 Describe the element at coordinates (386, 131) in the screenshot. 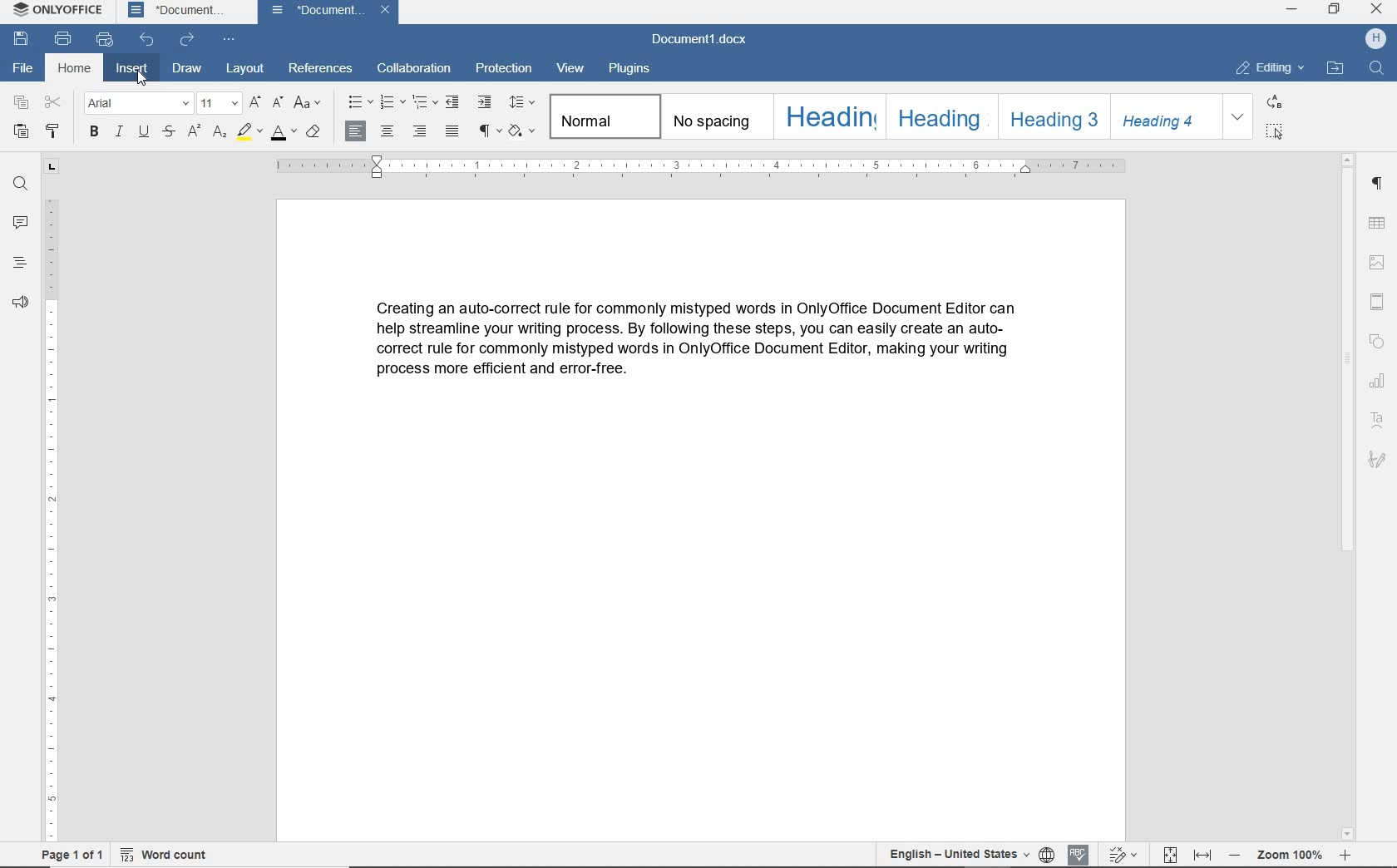

I see `align center` at that location.